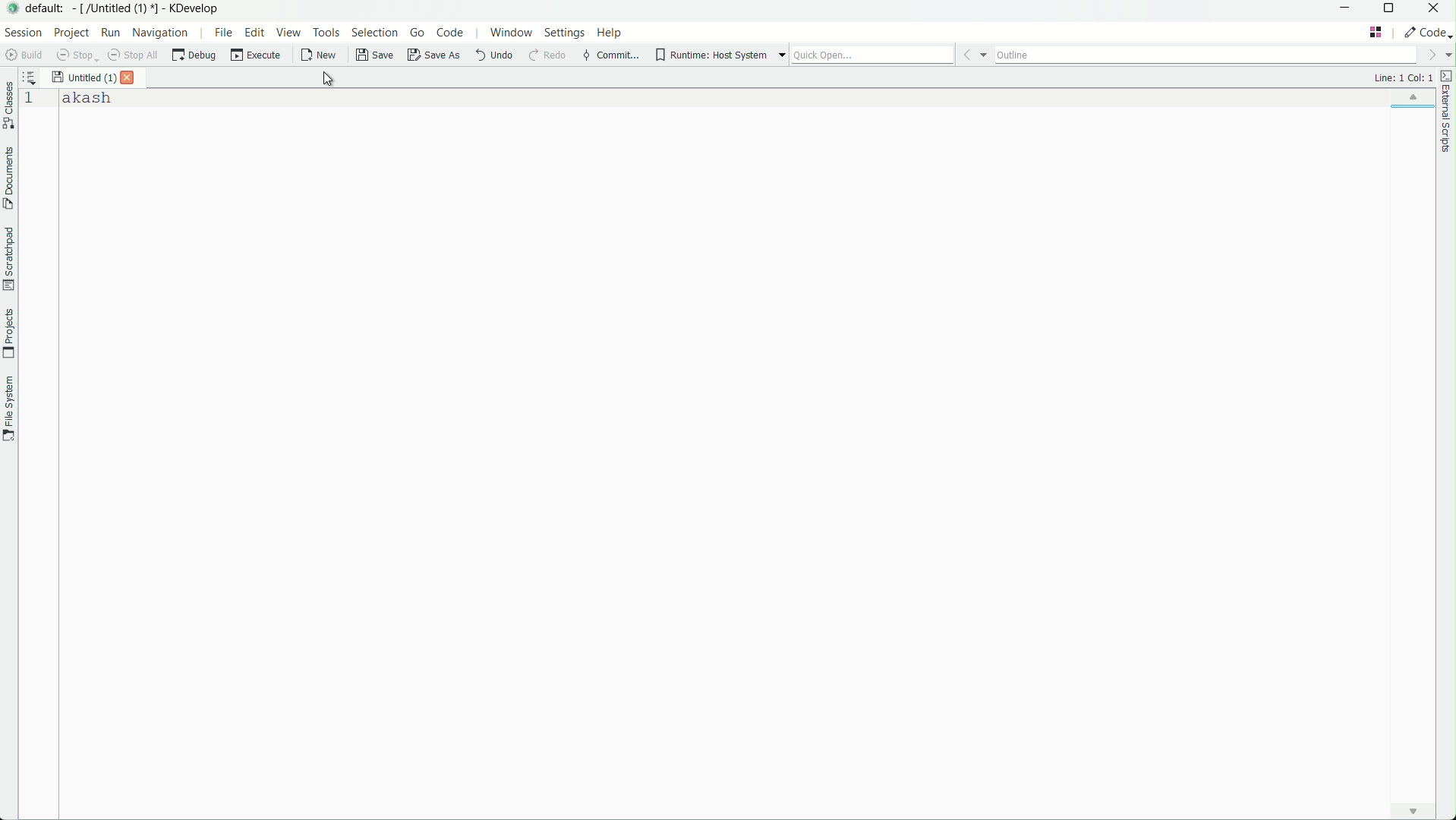 The width and height of the screenshot is (1456, 820). Describe the element at coordinates (547, 55) in the screenshot. I see `redo` at that location.